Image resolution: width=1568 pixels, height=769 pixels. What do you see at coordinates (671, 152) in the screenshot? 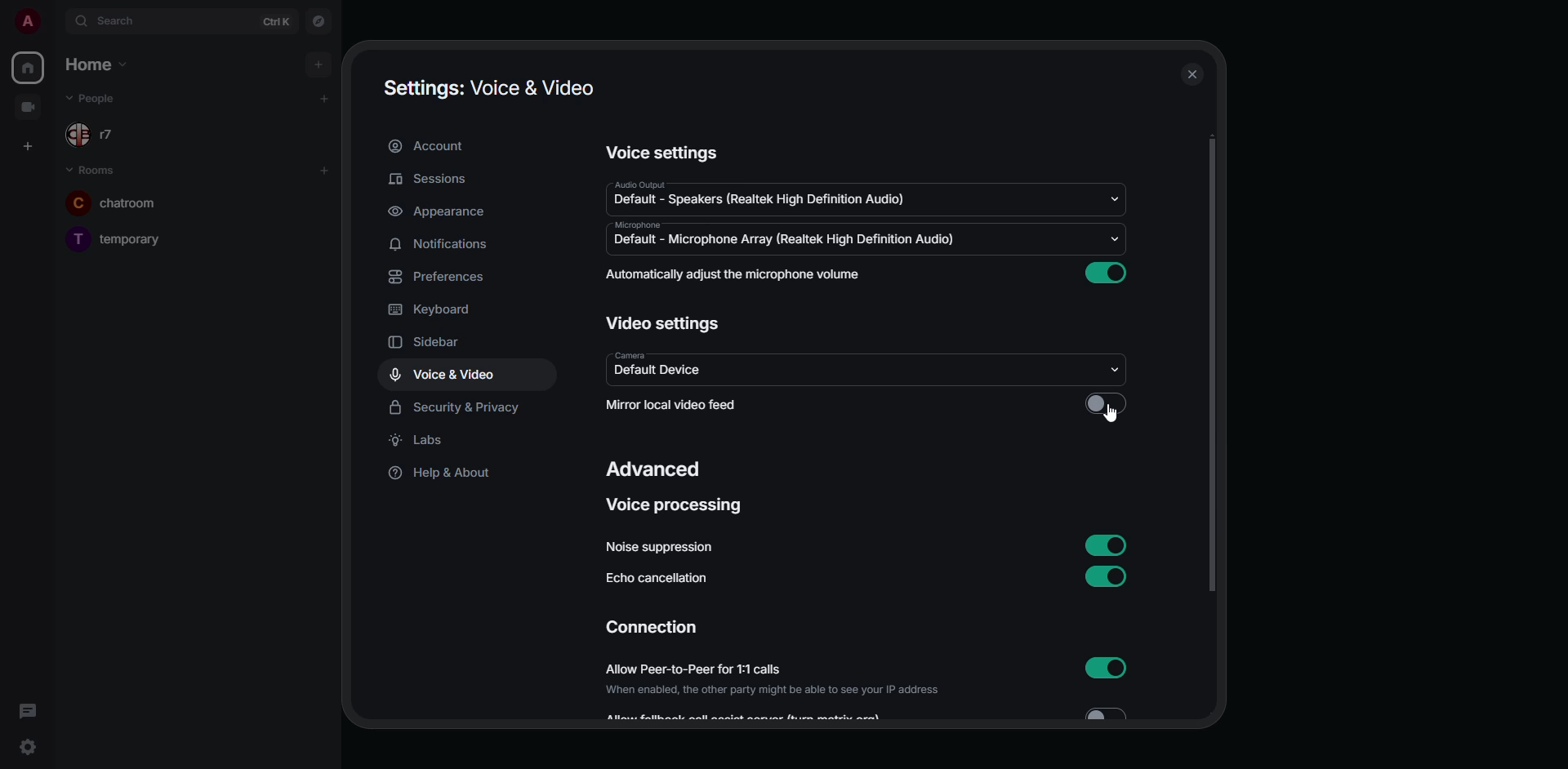
I see `voice settings` at bounding box center [671, 152].